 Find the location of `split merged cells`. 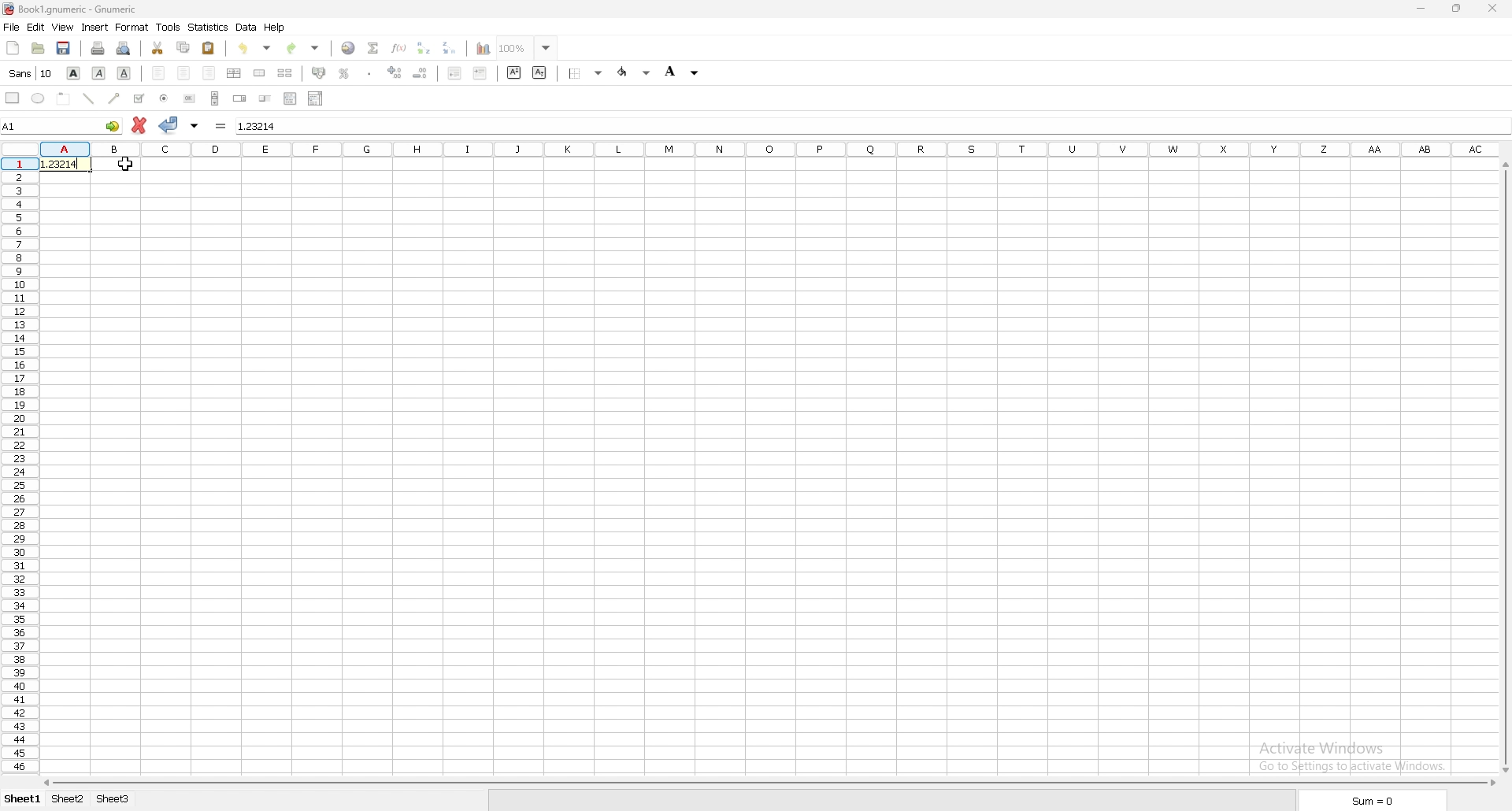

split merged cells is located at coordinates (284, 73).